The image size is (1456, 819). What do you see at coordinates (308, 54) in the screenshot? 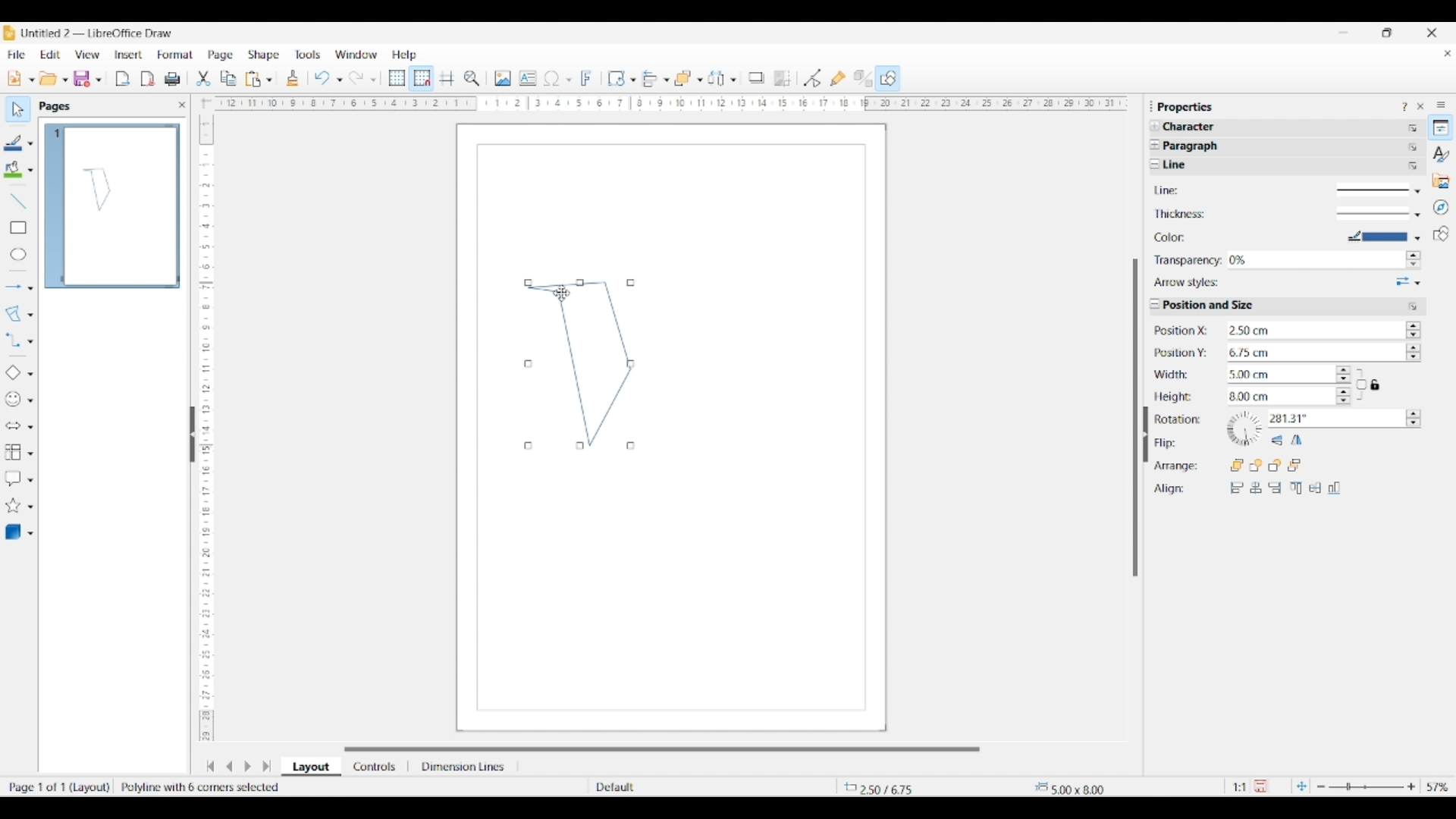
I see `Tools` at bounding box center [308, 54].